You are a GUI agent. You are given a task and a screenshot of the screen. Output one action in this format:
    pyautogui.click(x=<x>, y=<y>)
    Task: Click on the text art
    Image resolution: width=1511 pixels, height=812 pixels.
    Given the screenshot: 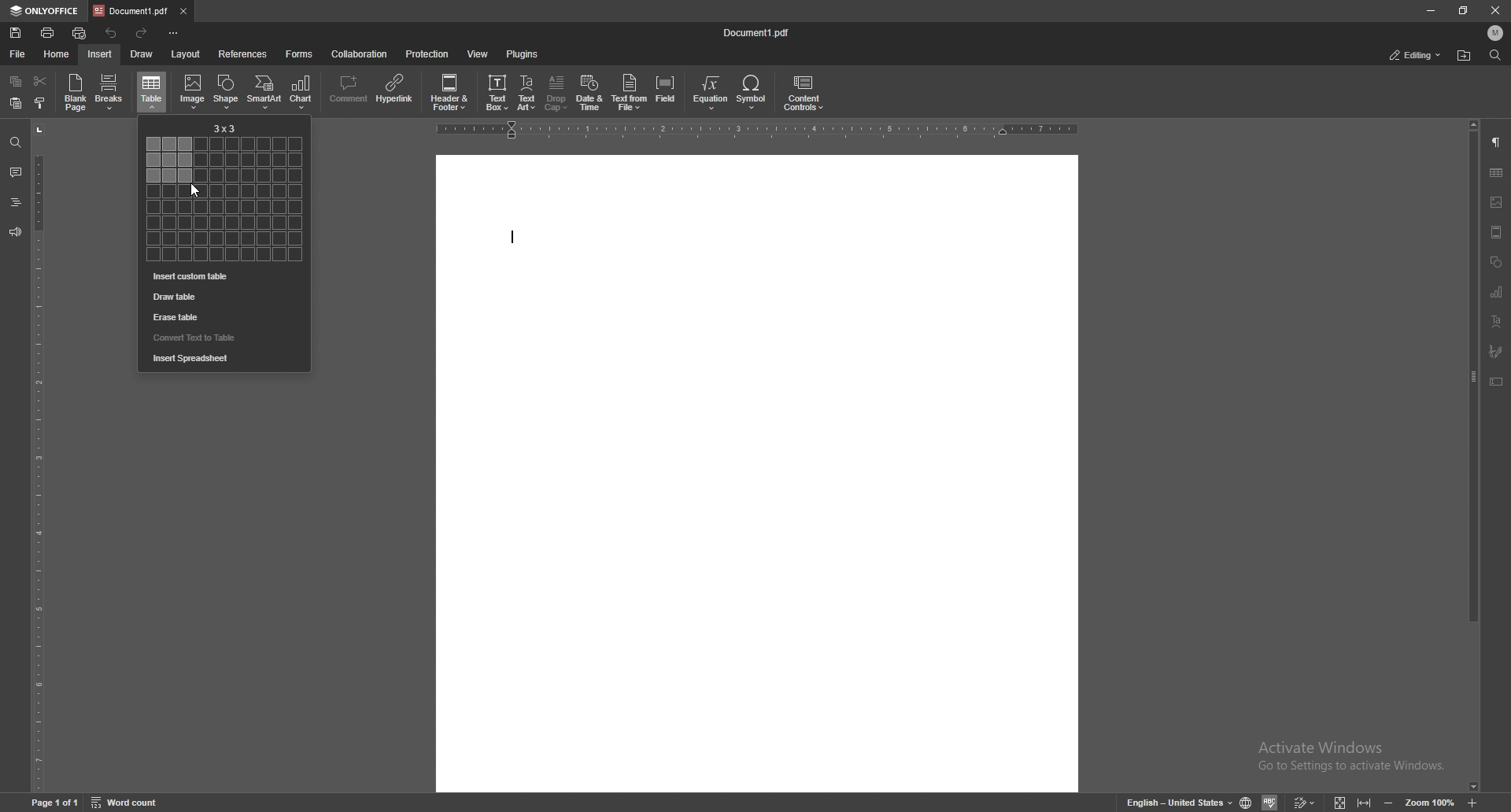 What is the action you would take?
    pyautogui.click(x=526, y=92)
    